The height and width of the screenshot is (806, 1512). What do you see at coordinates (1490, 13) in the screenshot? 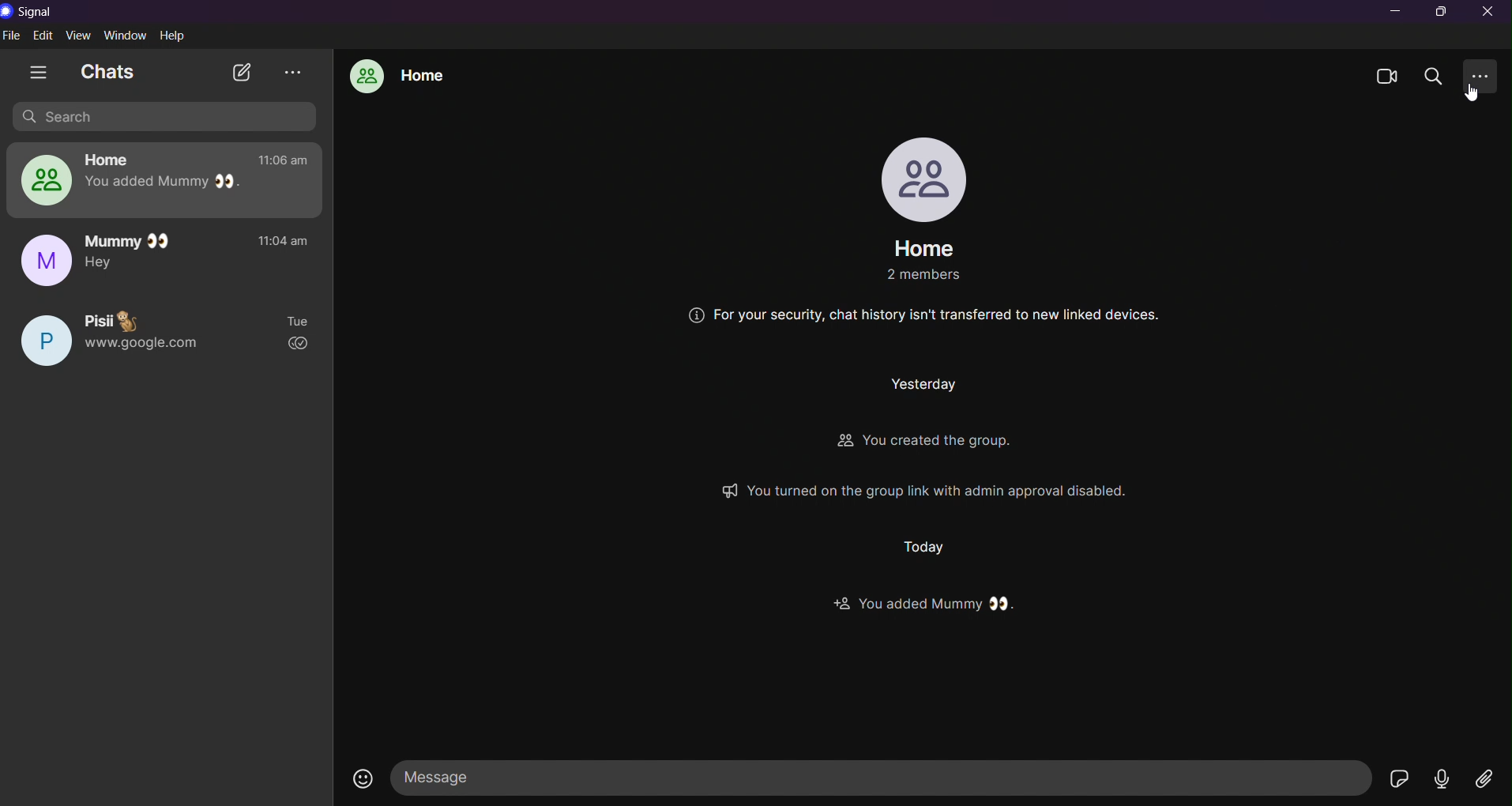
I see `close` at bounding box center [1490, 13].